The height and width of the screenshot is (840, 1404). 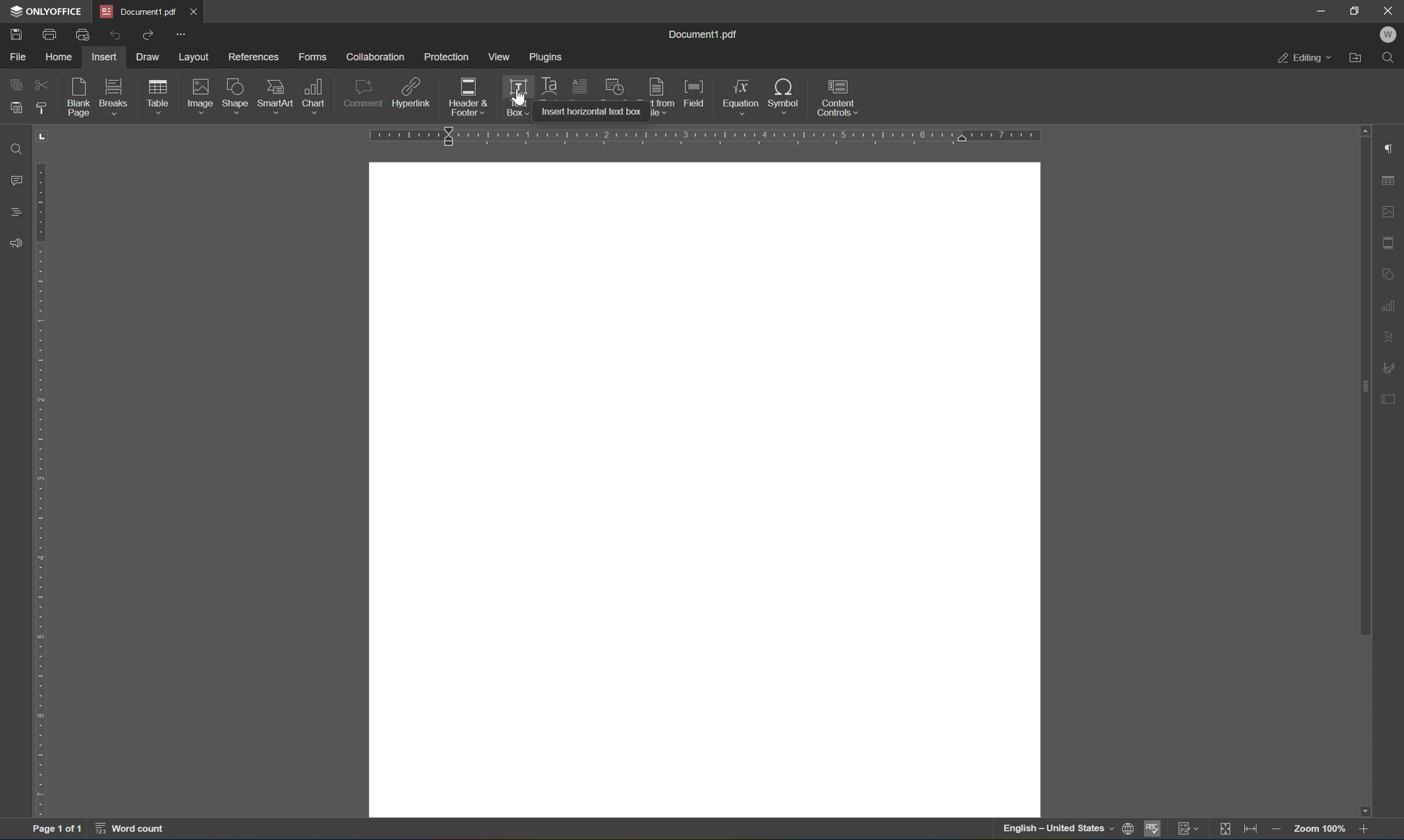 I want to click on Close, so click(x=195, y=11).